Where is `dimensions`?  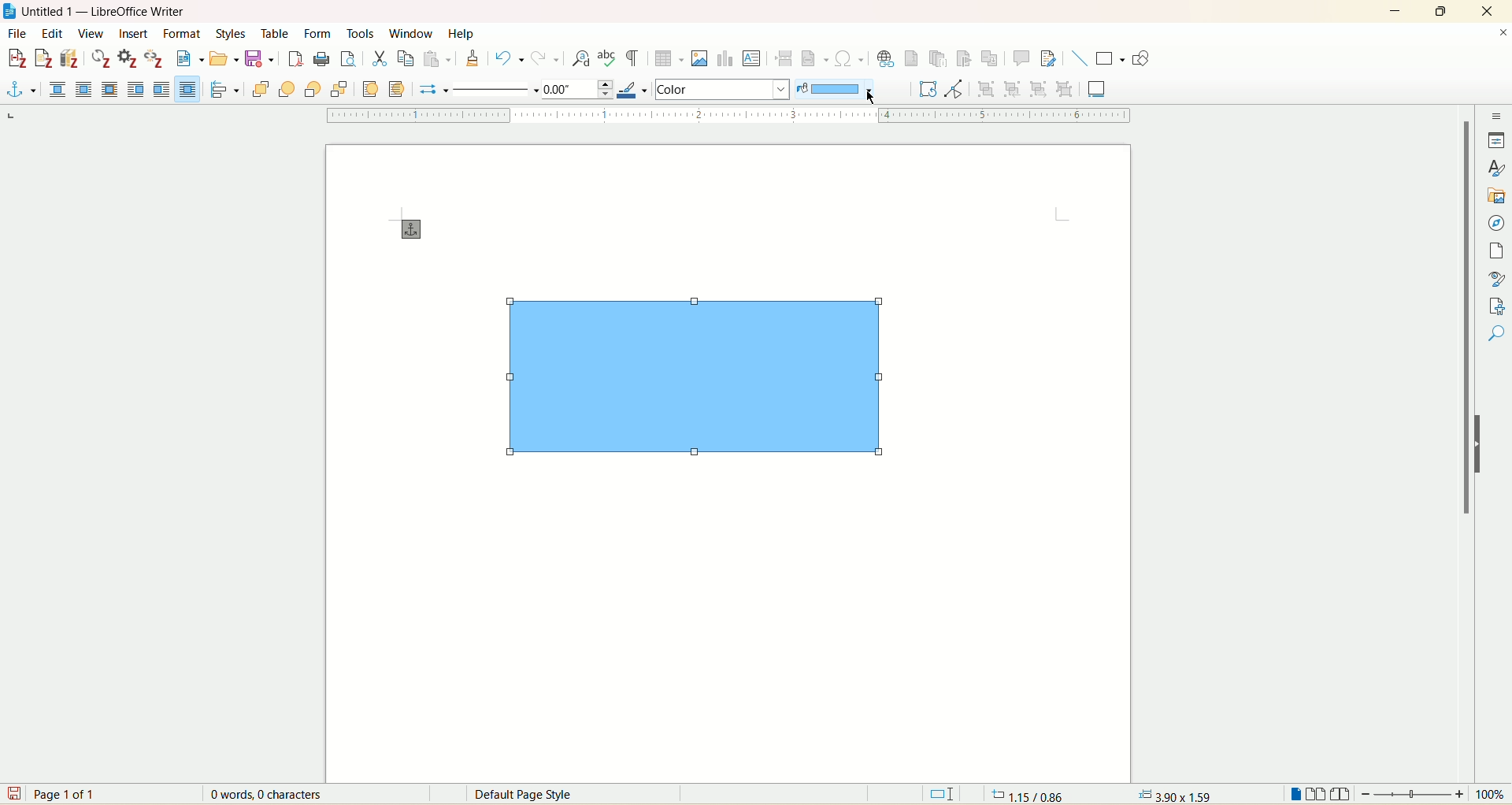 dimensions is located at coordinates (1174, 793).